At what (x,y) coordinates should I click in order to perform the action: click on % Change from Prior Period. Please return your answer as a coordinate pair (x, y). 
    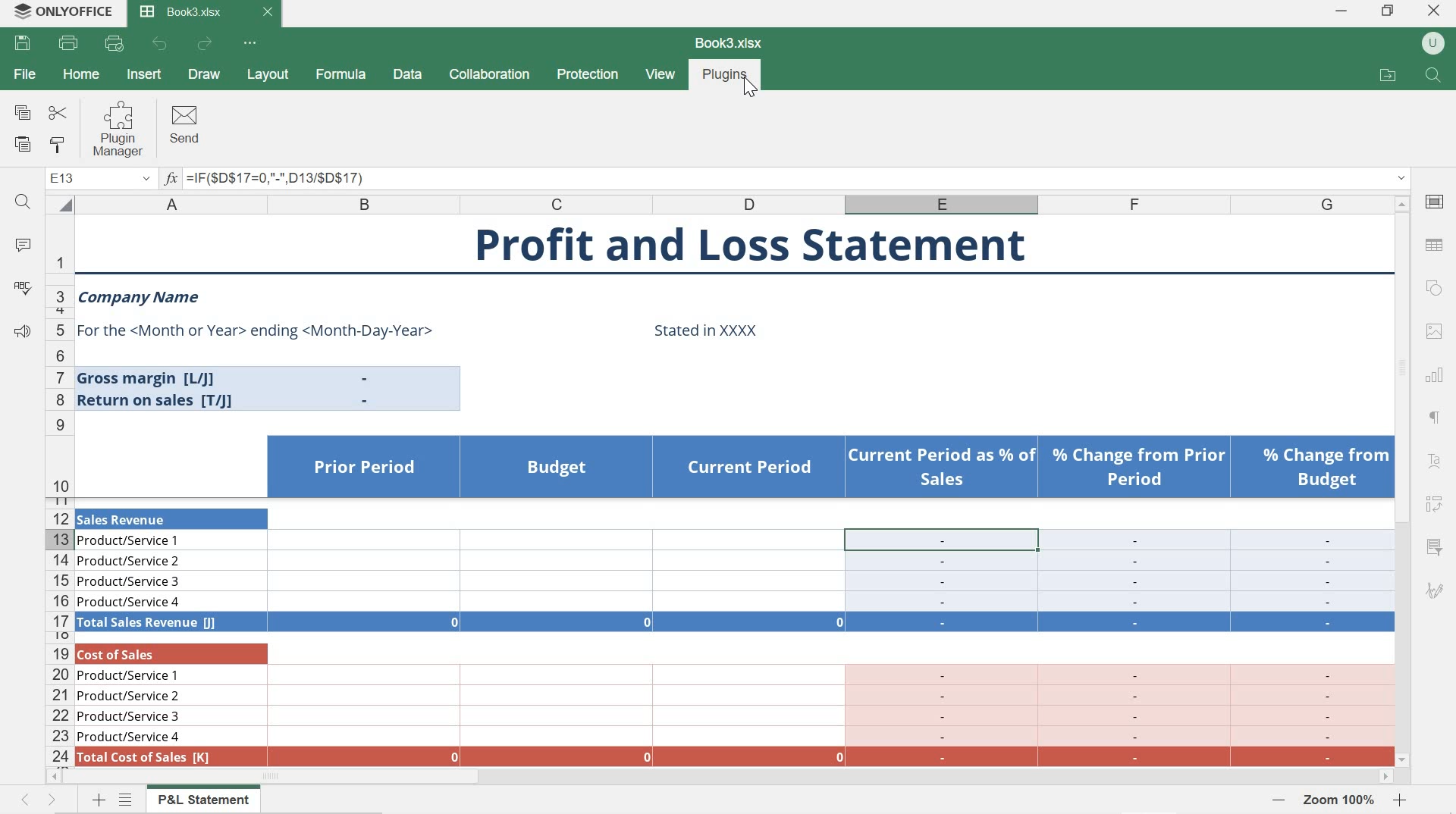
    Looking at the image, I should click on (1139, 468).